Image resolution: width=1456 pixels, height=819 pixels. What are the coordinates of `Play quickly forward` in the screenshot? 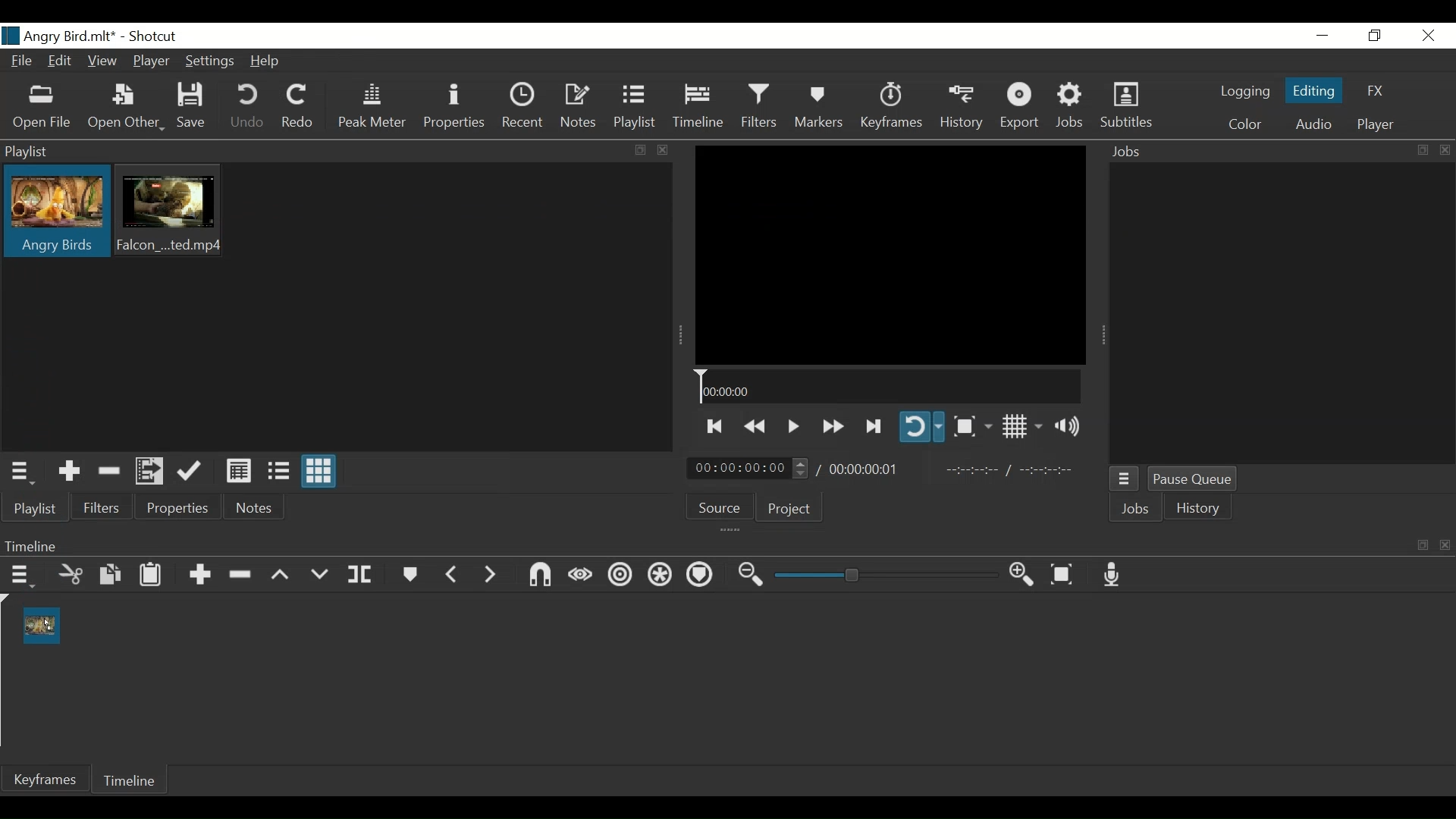 It's located at (832, 425).